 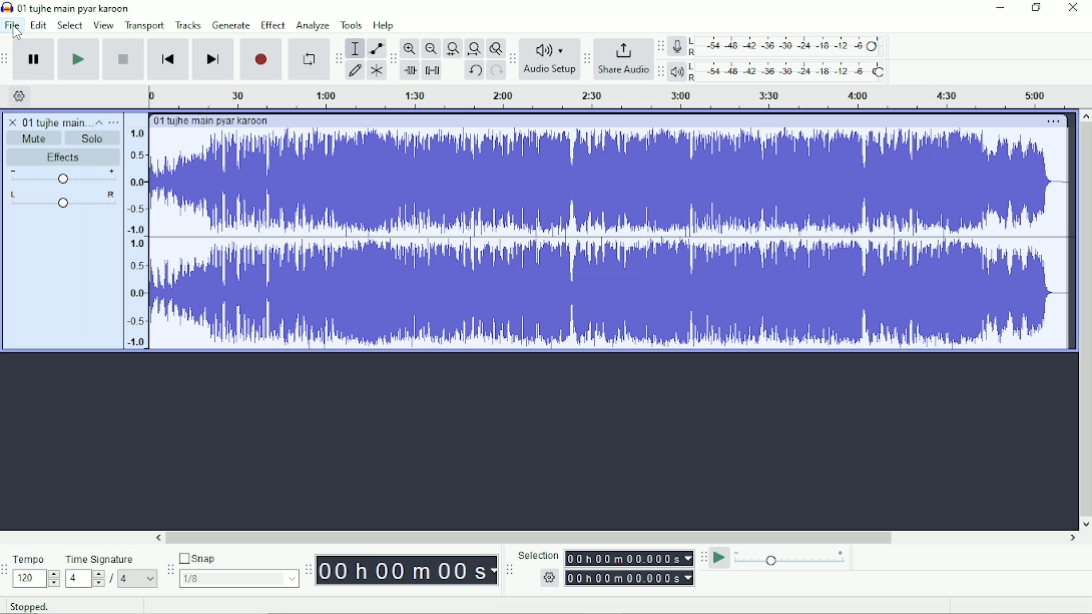 I want to click on Record meter, so click(x=778, y=46).